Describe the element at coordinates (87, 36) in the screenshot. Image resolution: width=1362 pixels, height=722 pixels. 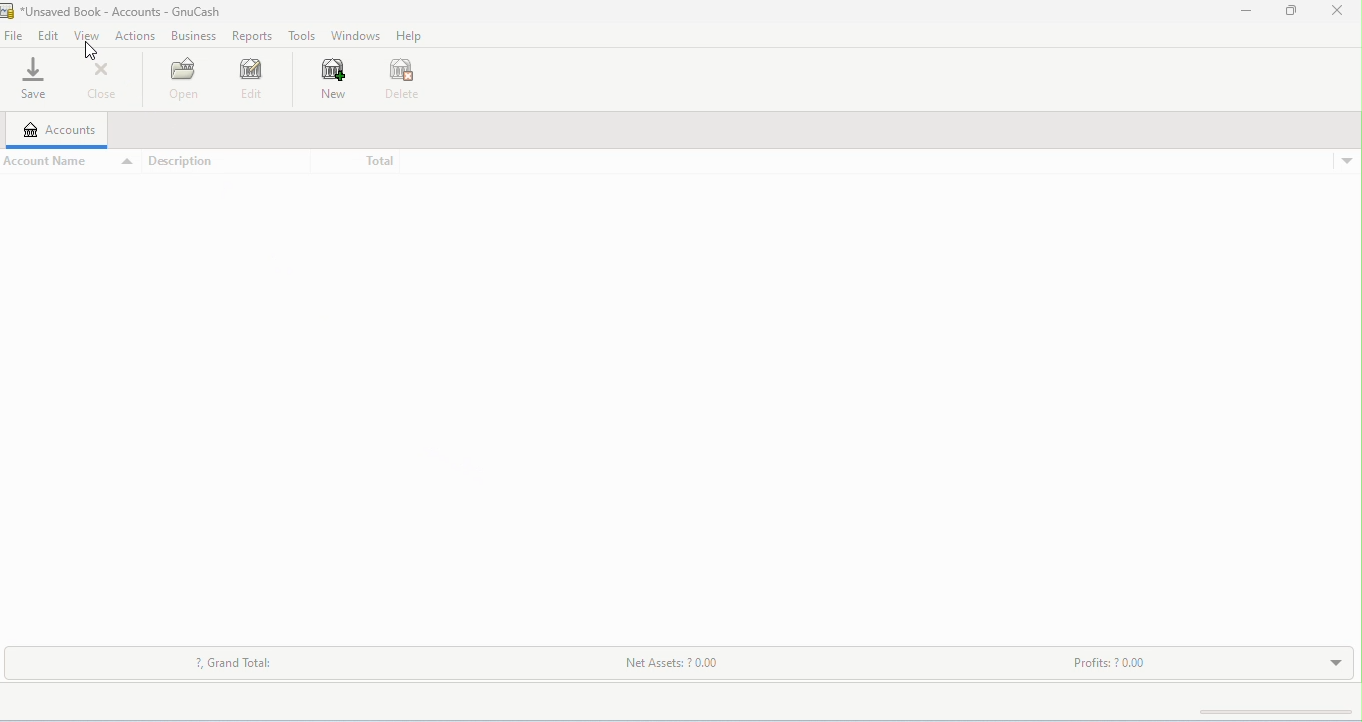
I see `view` at that location.